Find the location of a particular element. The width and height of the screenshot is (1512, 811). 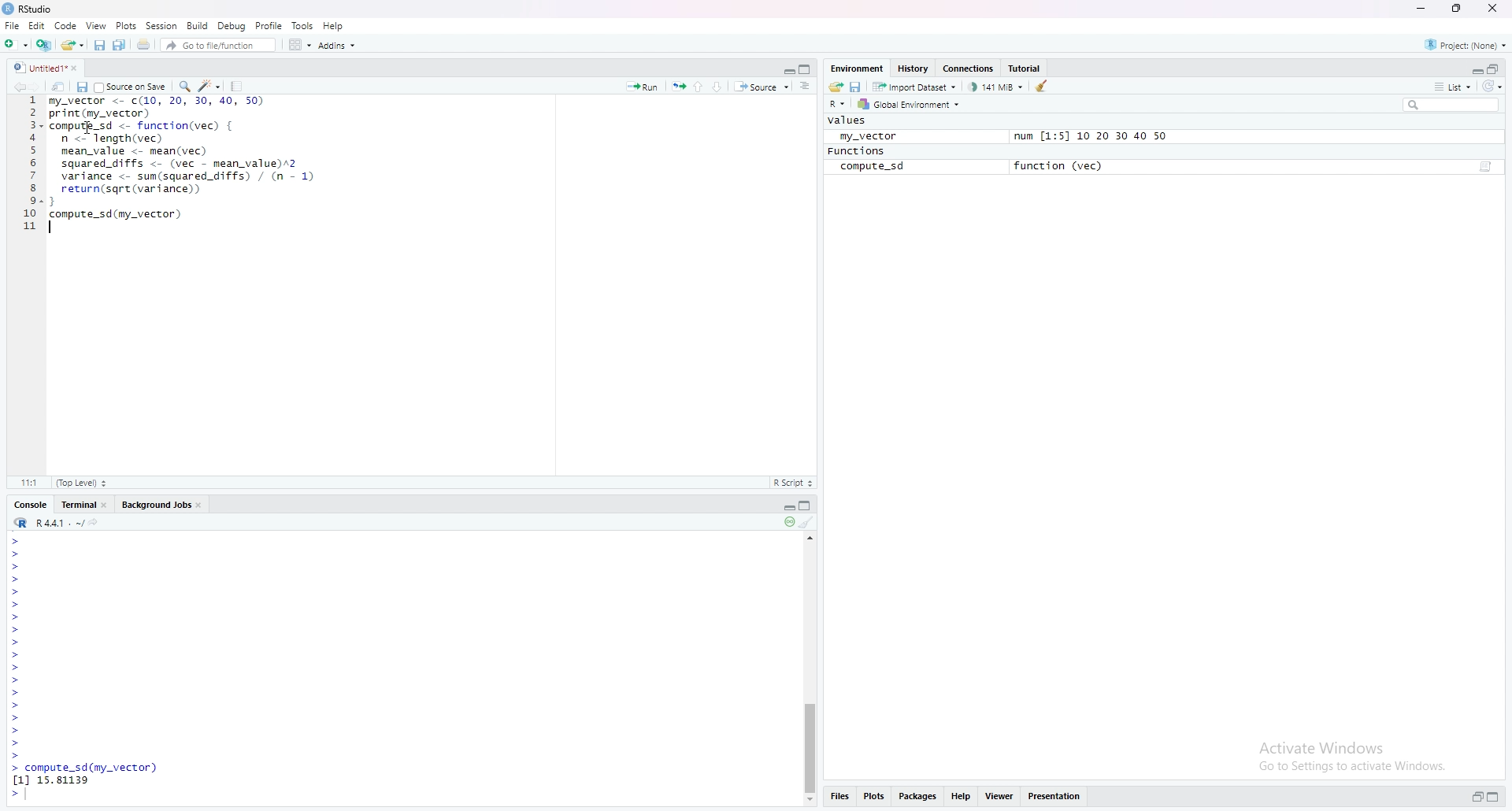

Minimize is located at coordinates (784, 69).